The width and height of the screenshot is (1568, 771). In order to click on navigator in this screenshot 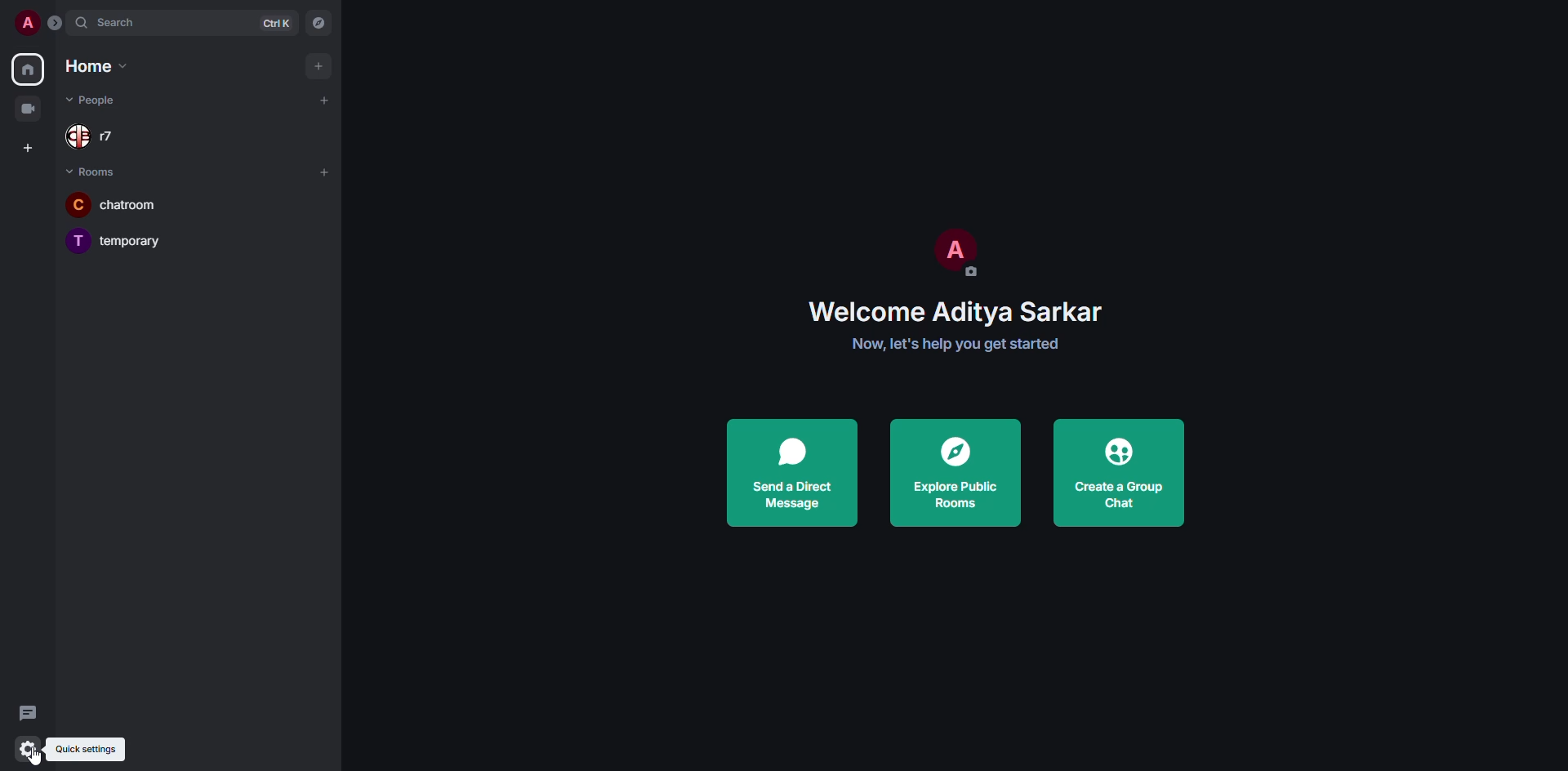, I will do `click(319, 25)`.